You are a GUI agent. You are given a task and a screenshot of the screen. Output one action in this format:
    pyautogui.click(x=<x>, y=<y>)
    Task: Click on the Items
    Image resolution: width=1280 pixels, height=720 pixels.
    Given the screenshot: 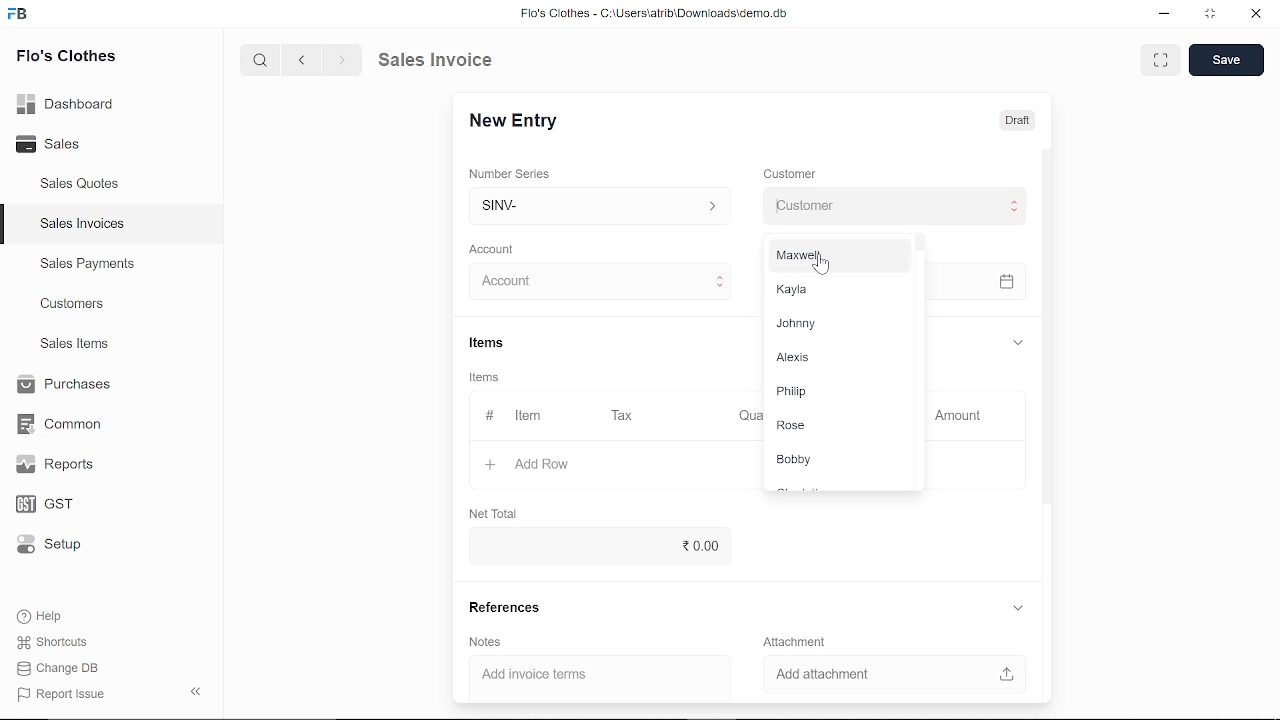 What is the action you would take?
    pyautogui.click(x=487, y=376)
    